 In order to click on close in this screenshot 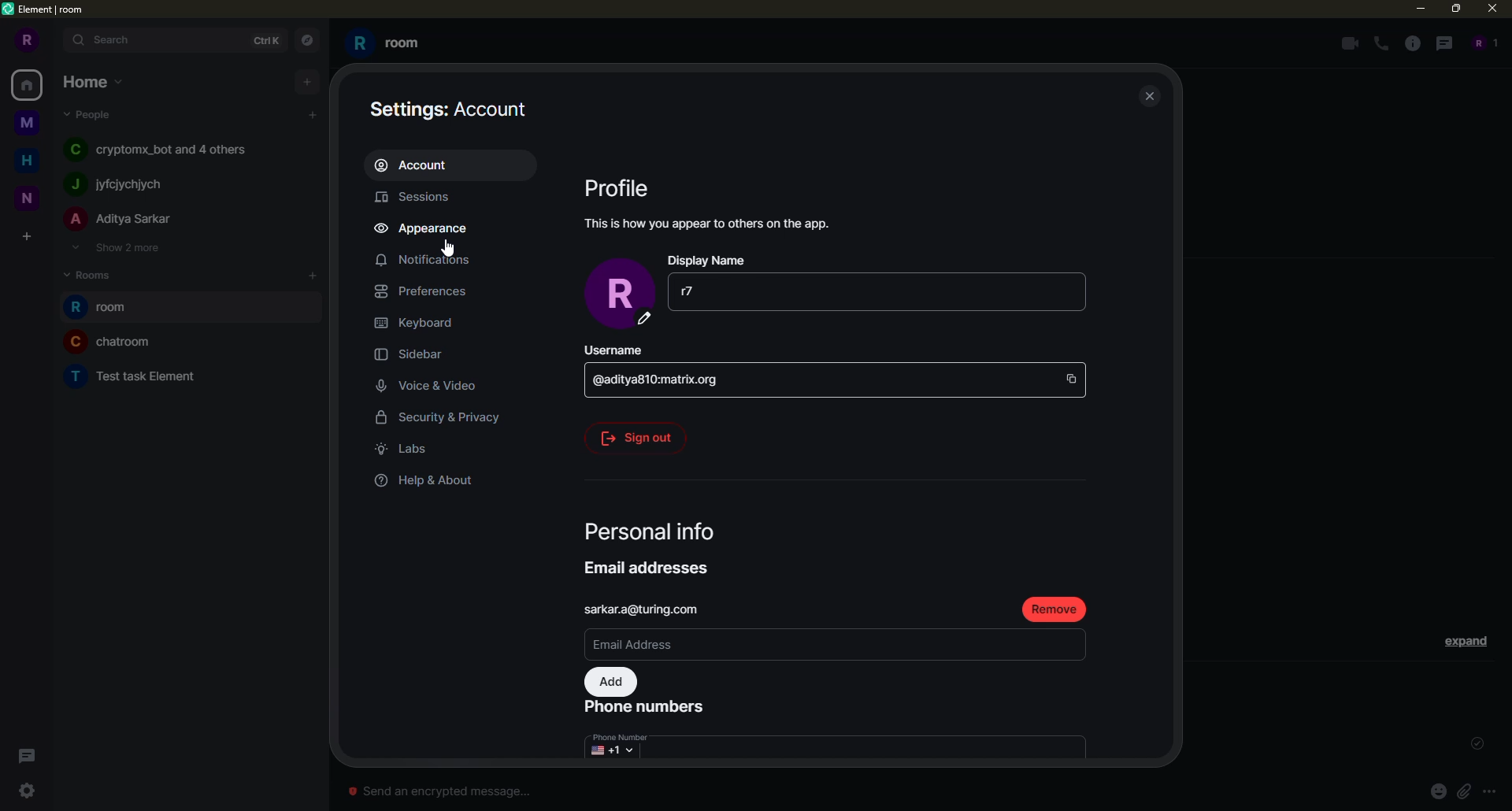, I will do `click(1151, 98)`.